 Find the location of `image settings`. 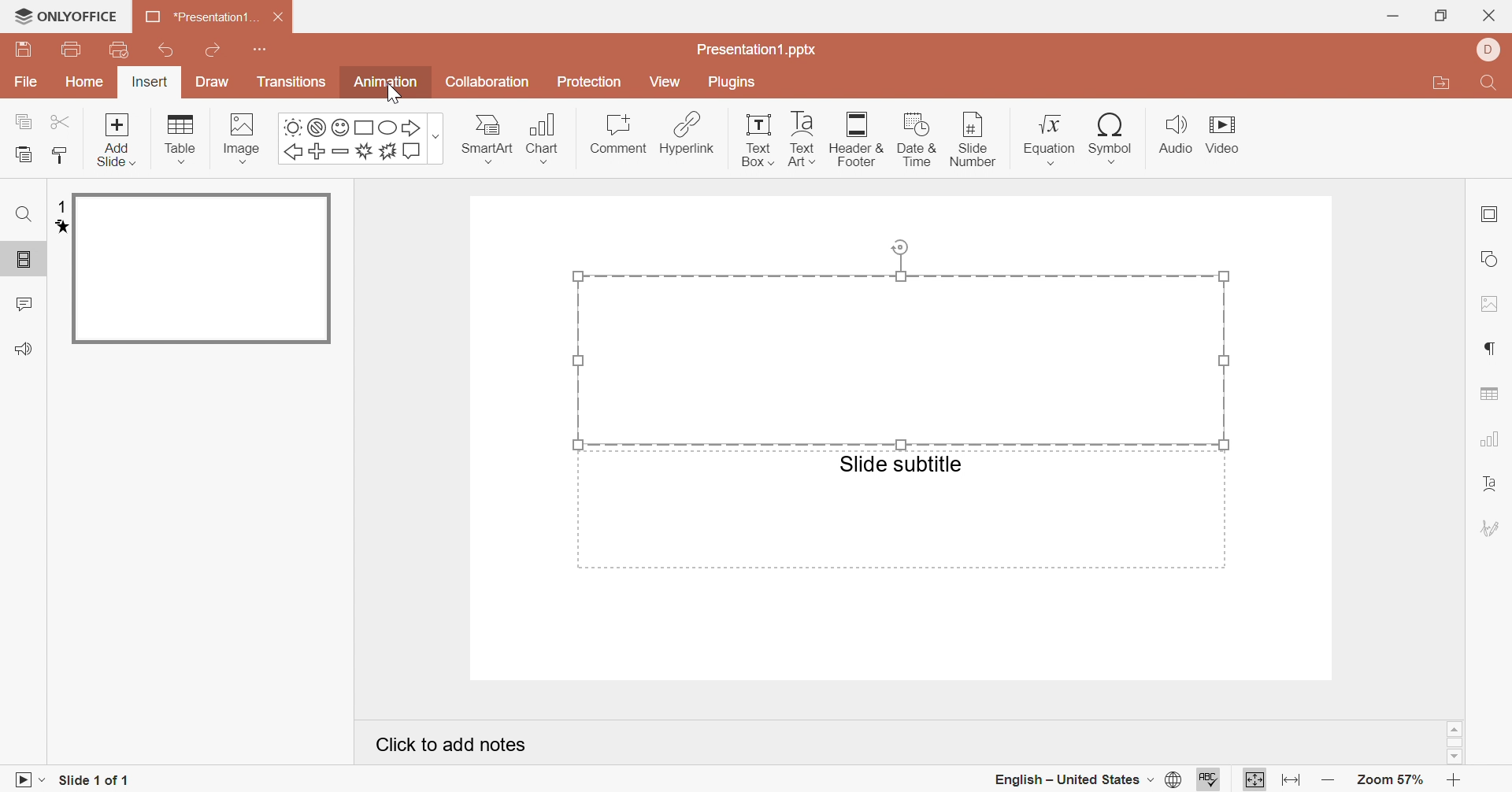

image settings is located at coordinates (1492, 305).